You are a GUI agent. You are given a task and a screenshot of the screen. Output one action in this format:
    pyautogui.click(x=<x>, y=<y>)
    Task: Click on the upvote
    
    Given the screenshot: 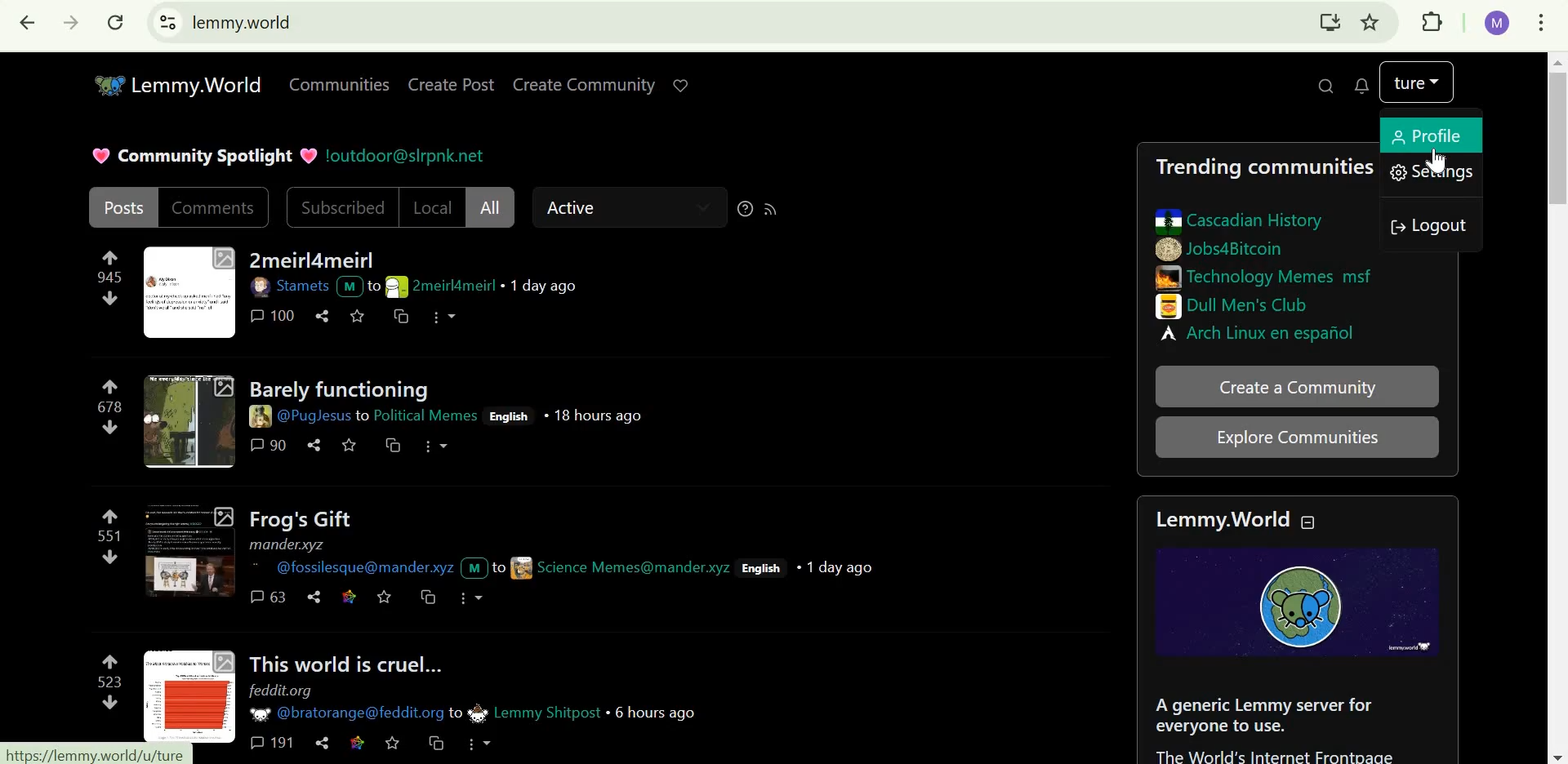 What is the action you would take?
    pyautogui.click(x=109, y=660)
    